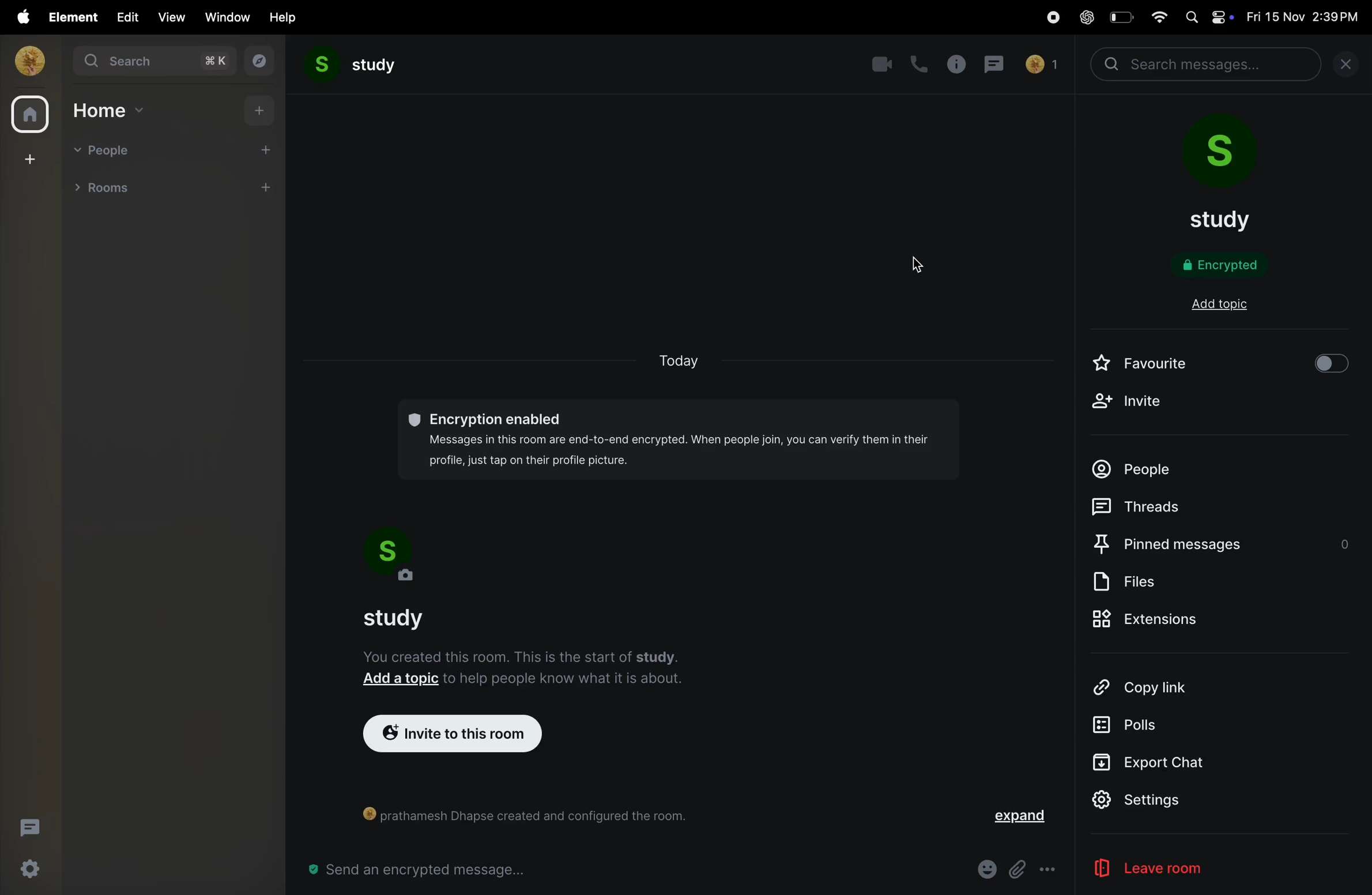 This screenshot has height=895, width=1372. What do you see at coordinates (70, 16) in the screenshot?
I see `element menu` at bounding box center [70, 16].